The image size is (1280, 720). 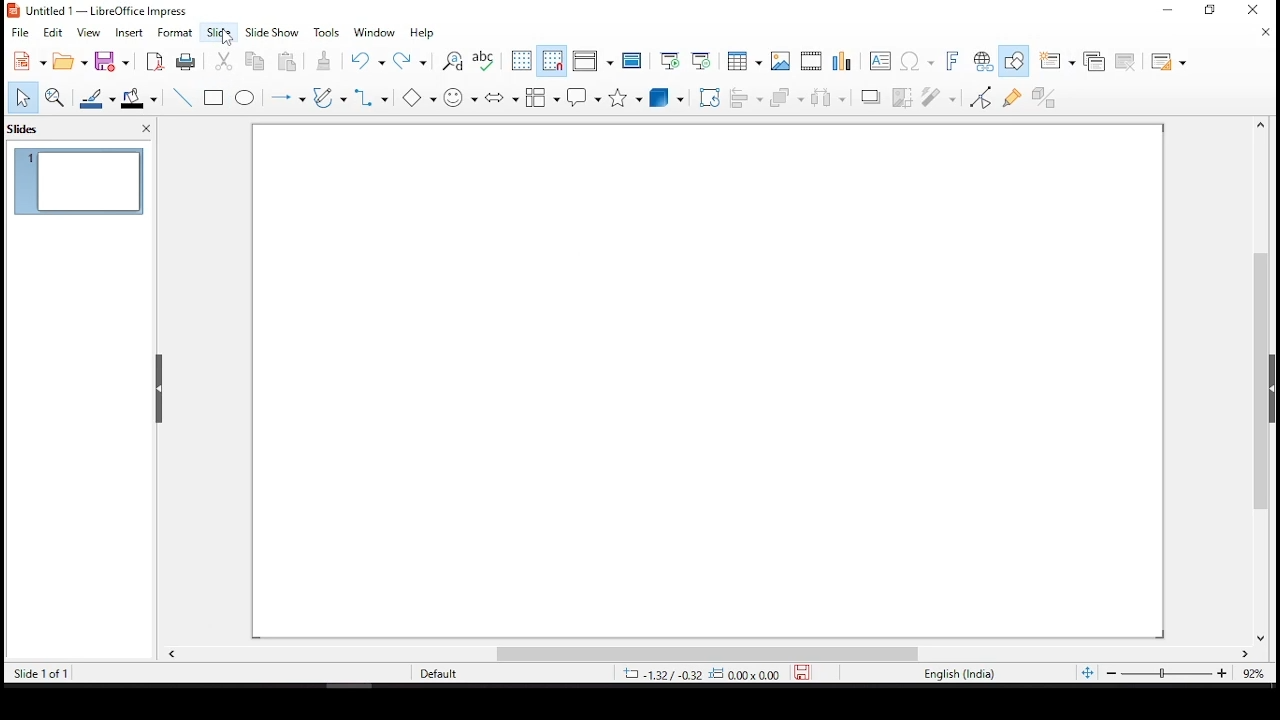 What do you see at coordinates (827, 97) in the screenshot?
I see `distribute` at bounding box center [827, 97].